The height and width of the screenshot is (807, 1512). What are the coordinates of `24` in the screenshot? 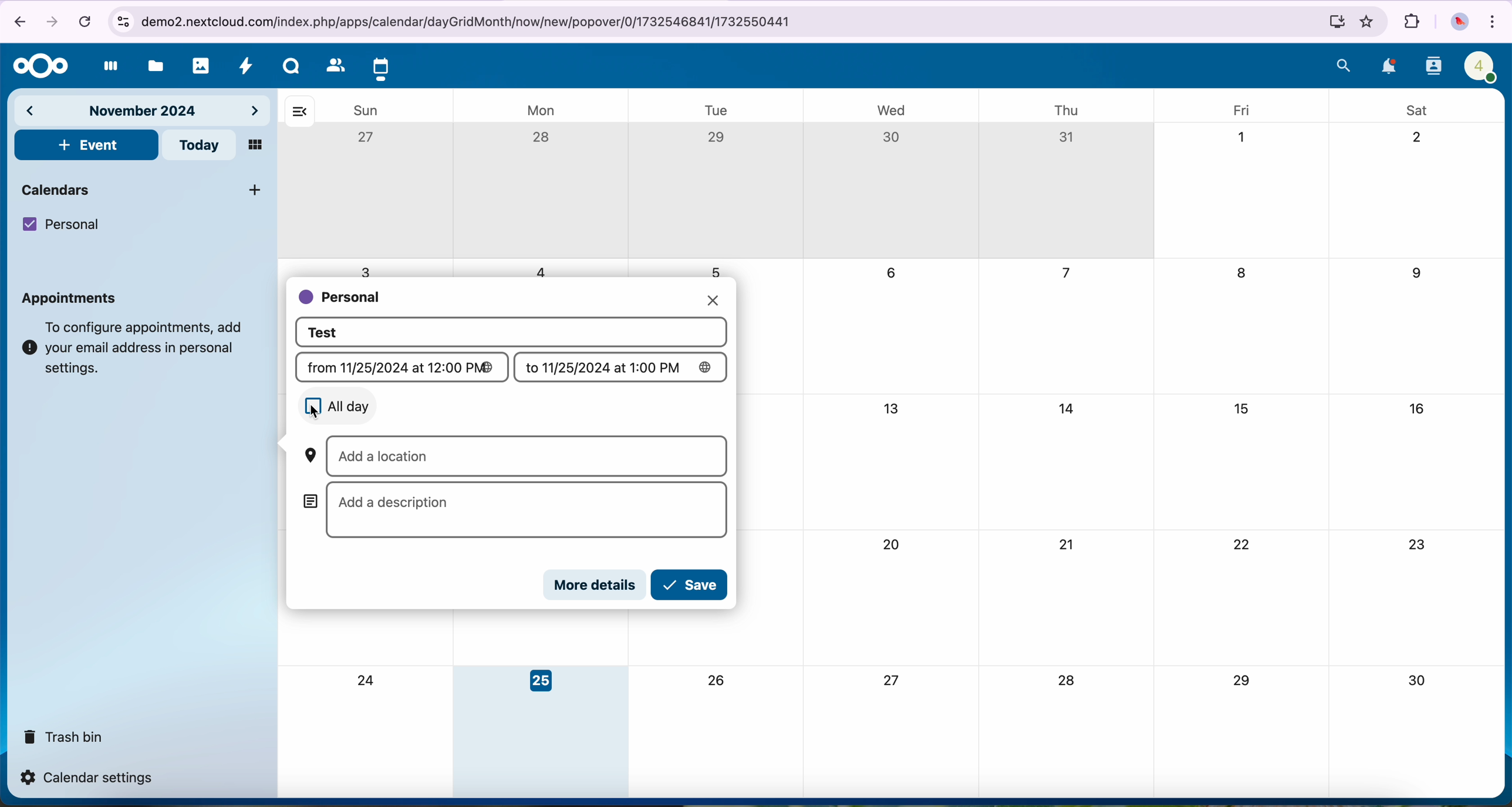 It's located at (369, 681).